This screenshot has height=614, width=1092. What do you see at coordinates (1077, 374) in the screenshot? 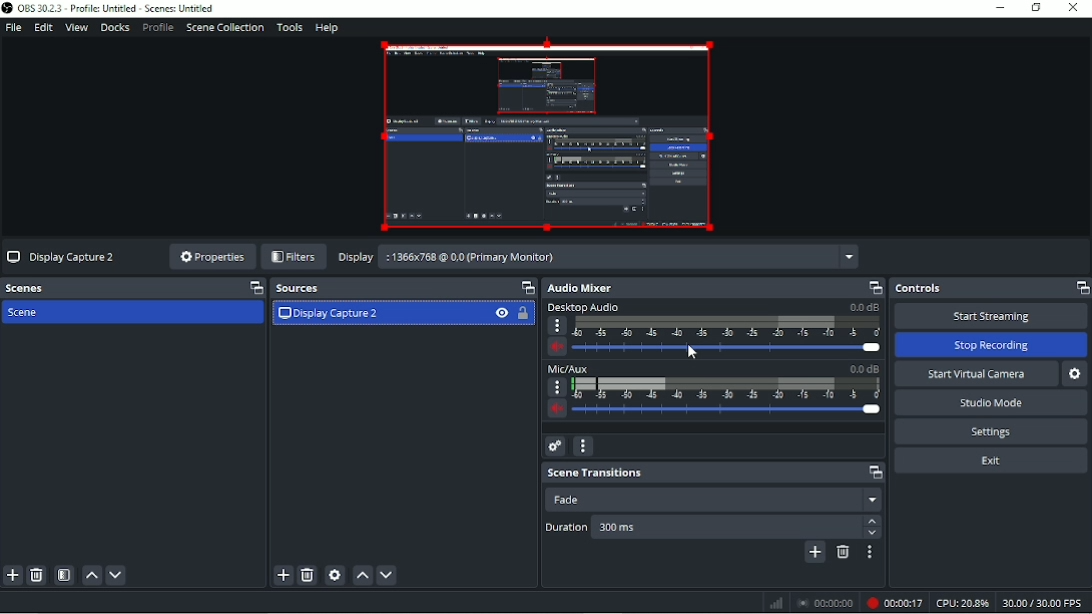
I see `Configure virtual camera` at bounding box center [1077, 374].